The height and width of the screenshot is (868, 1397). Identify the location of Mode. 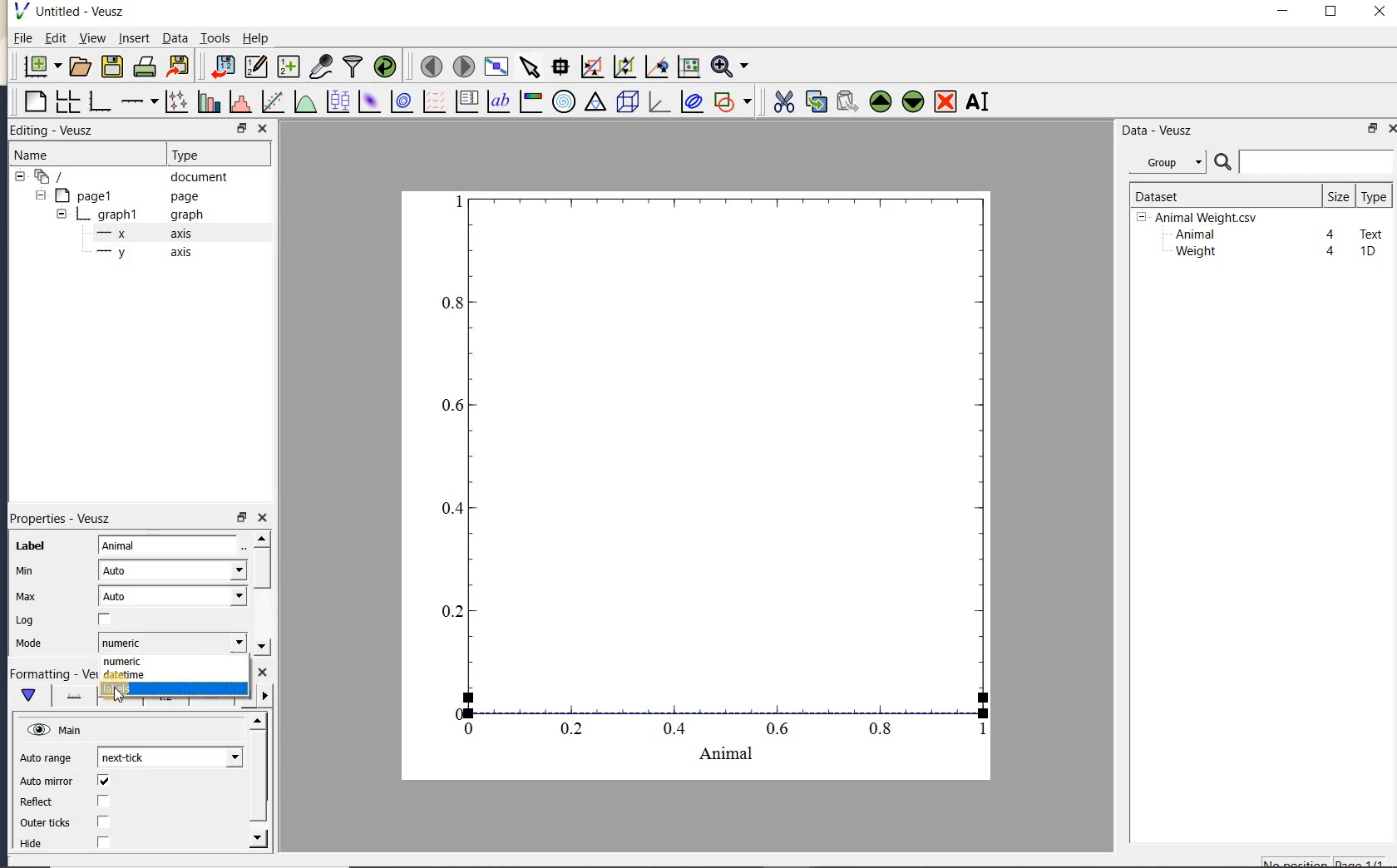
(28, 644).